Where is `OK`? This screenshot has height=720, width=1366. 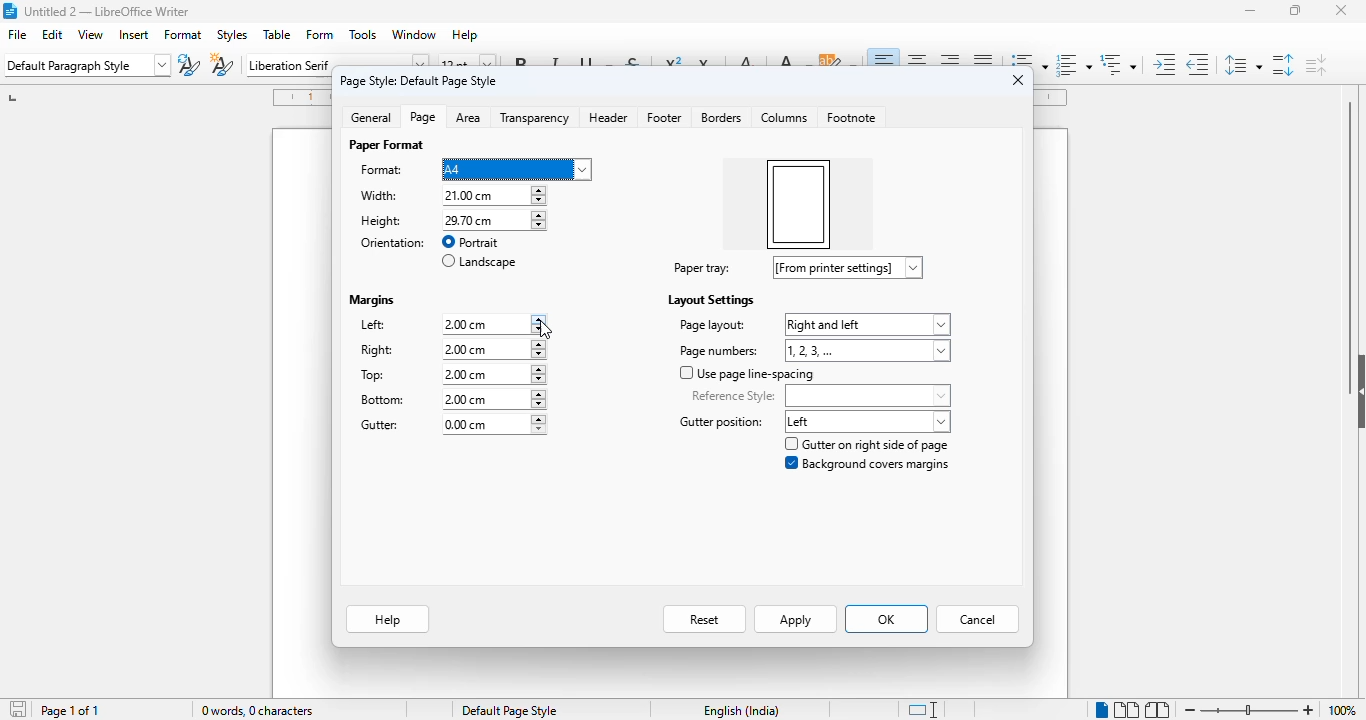
OK is located at coordinates (885, 619).